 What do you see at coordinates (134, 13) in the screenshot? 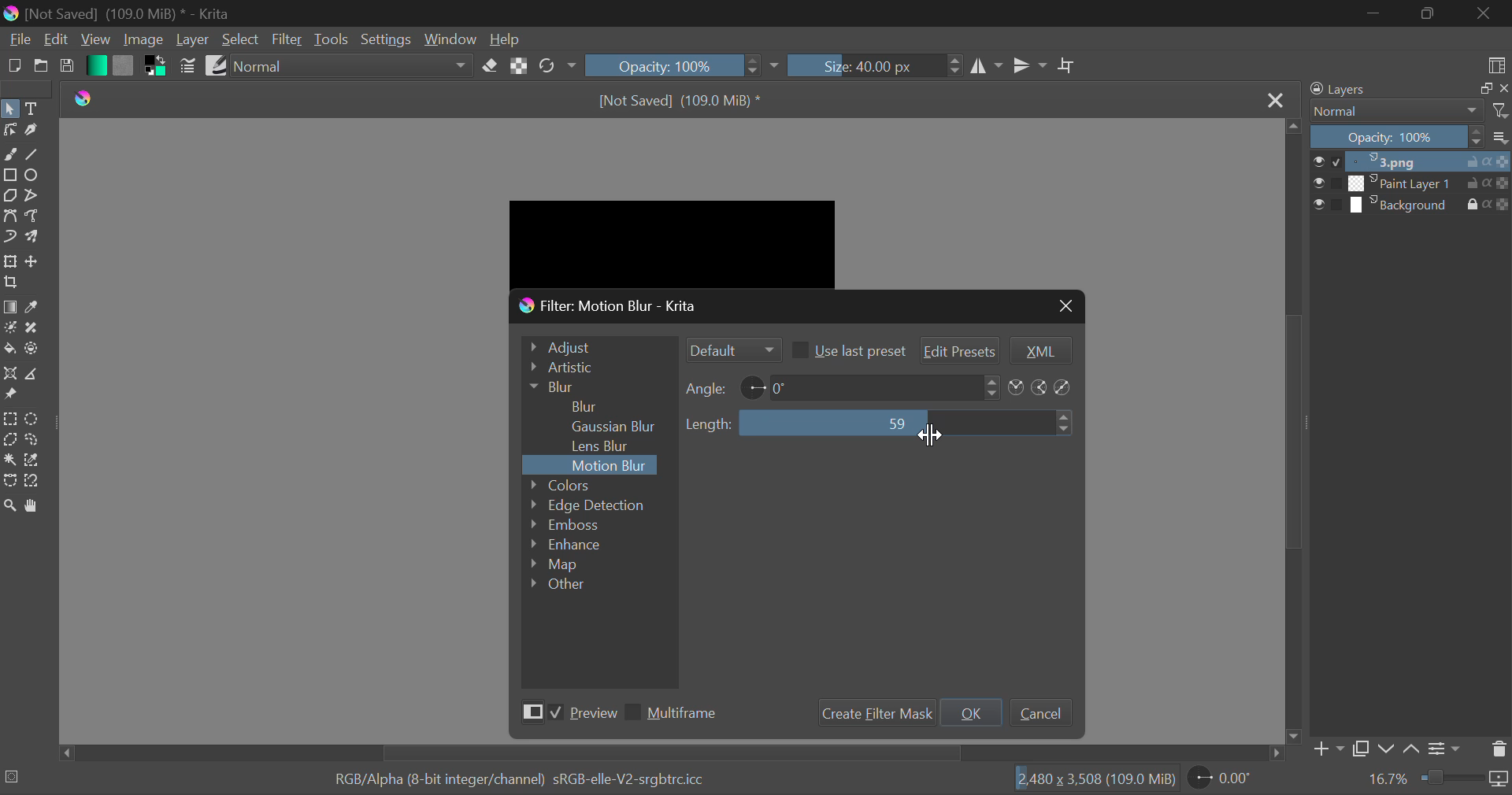
I see `[Not Saved] (109.0 MiB) * - Krita` at bounding box center [134, 13].